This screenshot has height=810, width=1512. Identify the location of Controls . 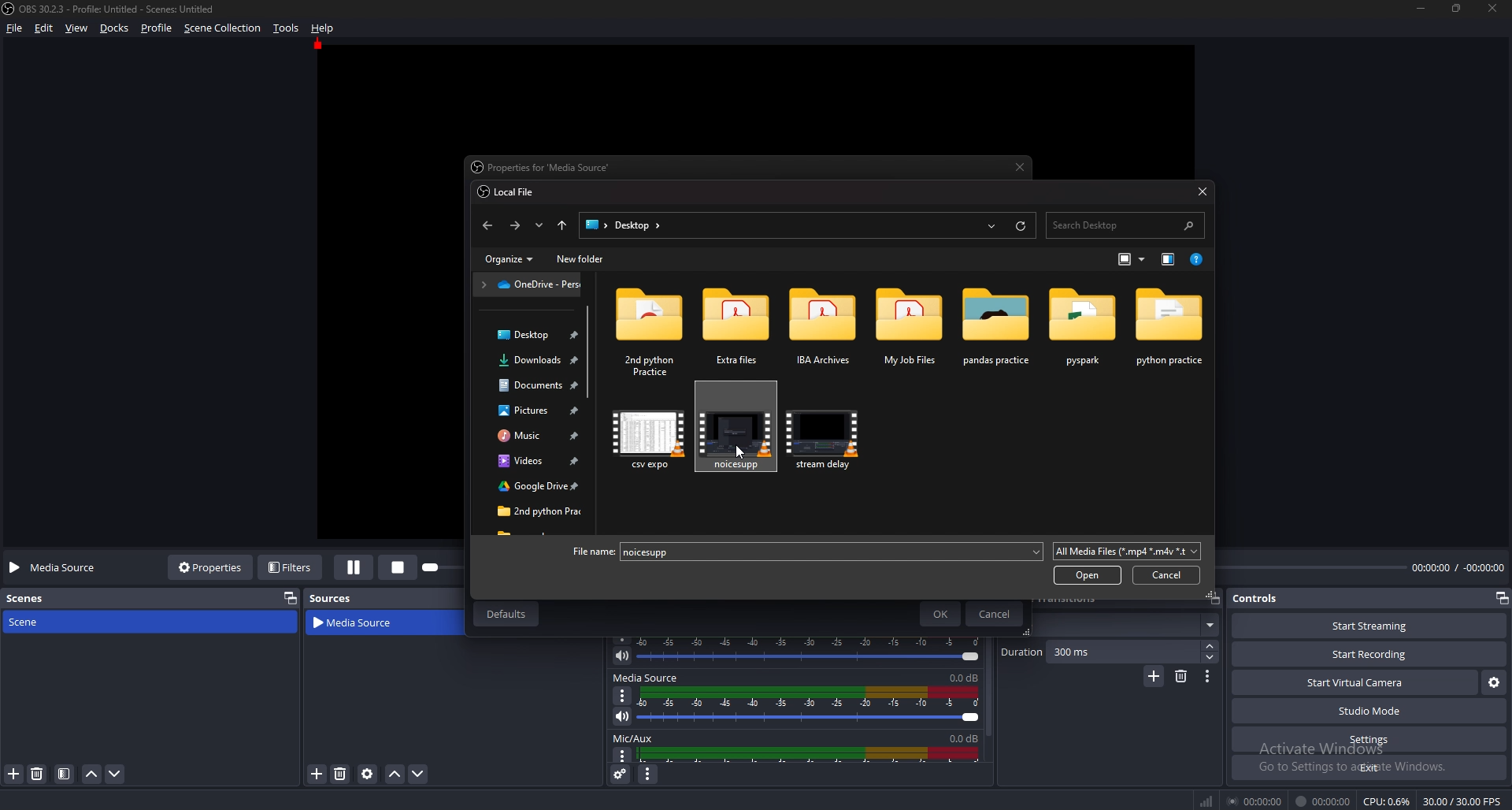
(1258, 598).